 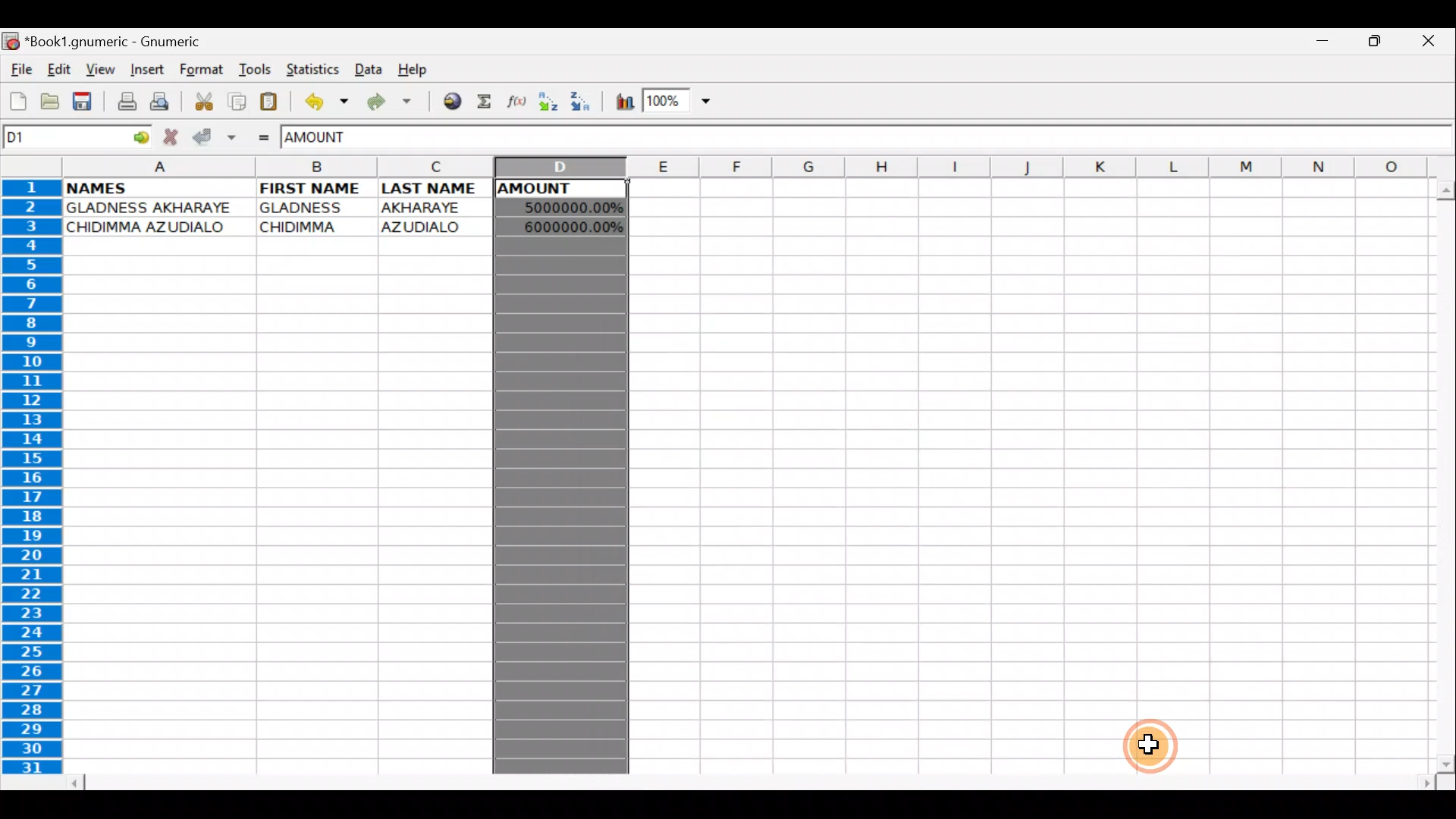 What do you see at coordinates (61, 71) in the screenshot?
I see `Edit` at bounding box center [61, 71].